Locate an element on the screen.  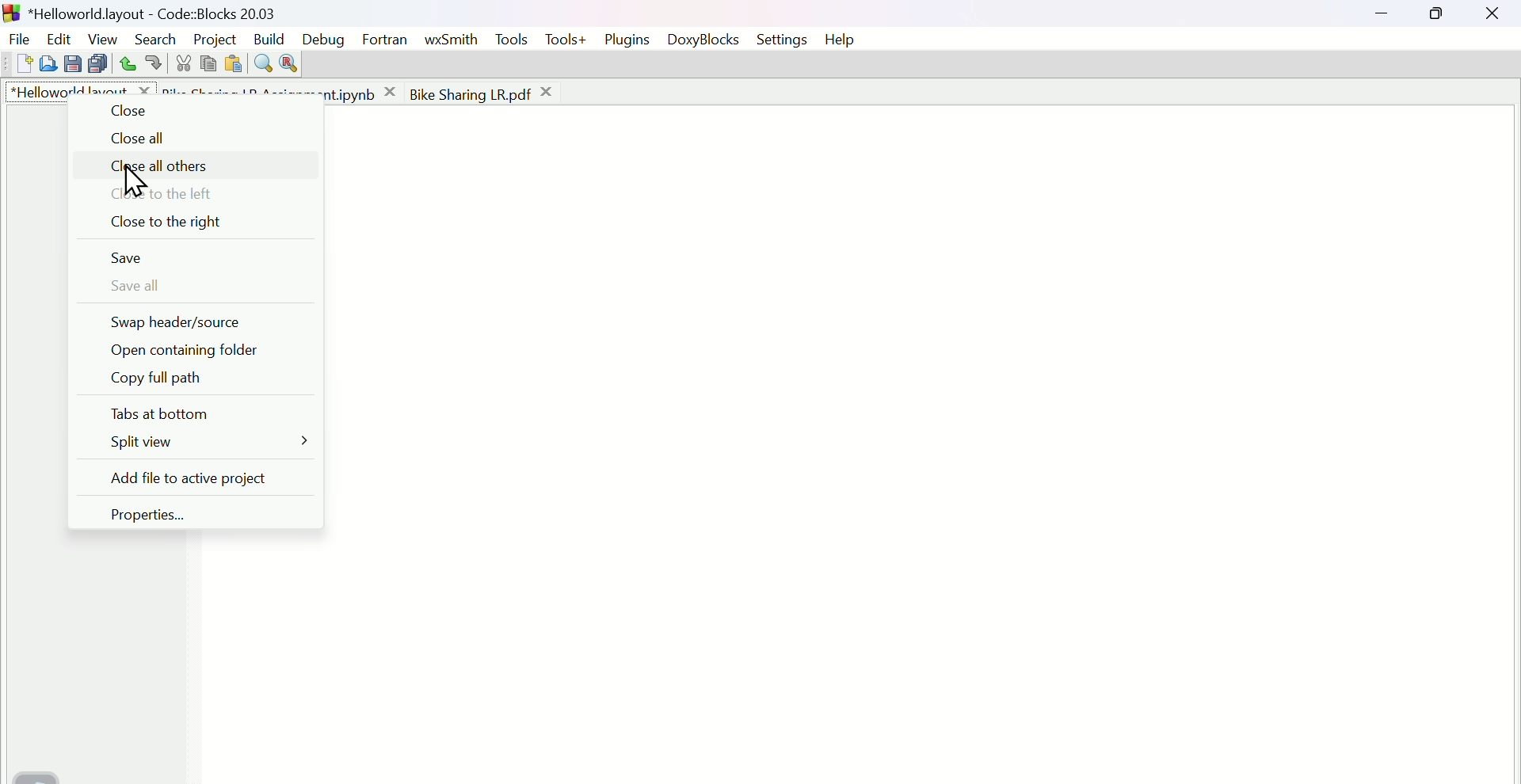
Close is located at coordinates (1496, 17).